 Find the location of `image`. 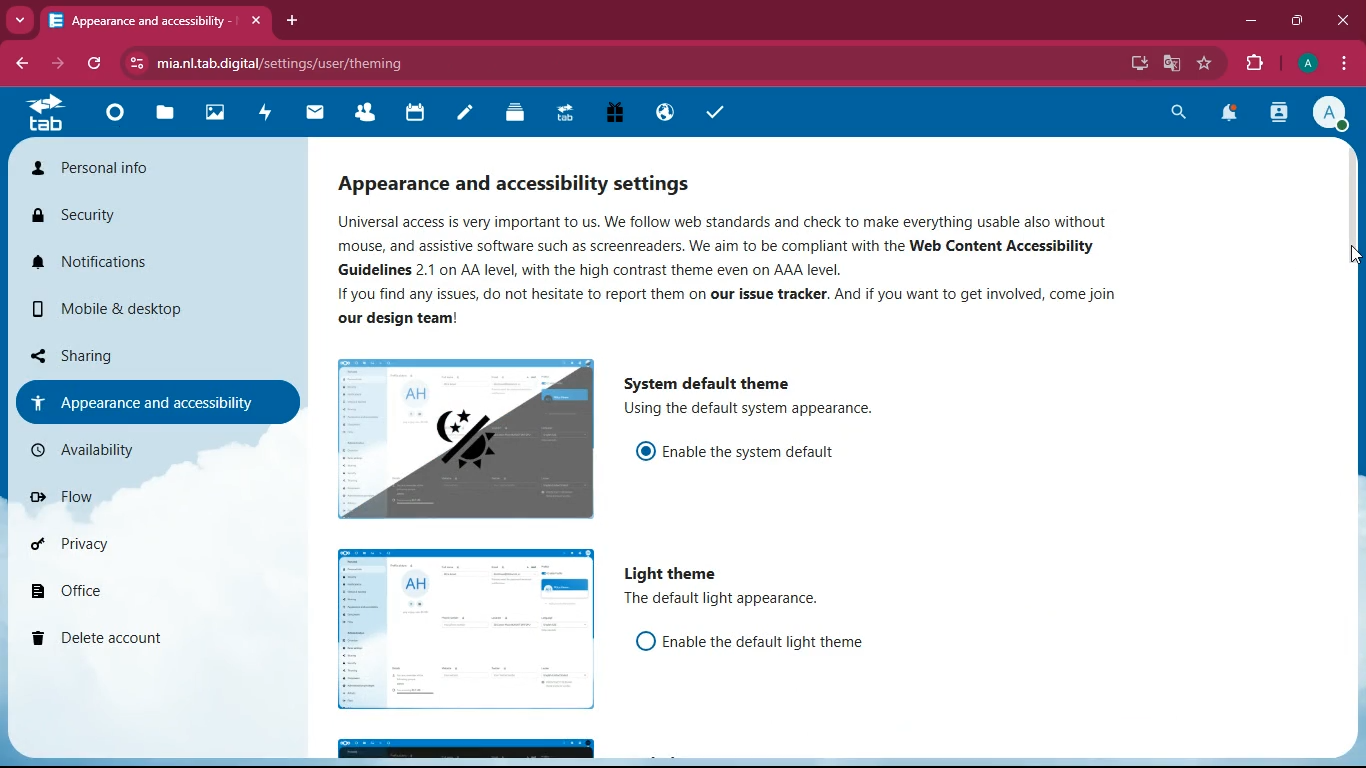

image is located at coordinates (467, 439).